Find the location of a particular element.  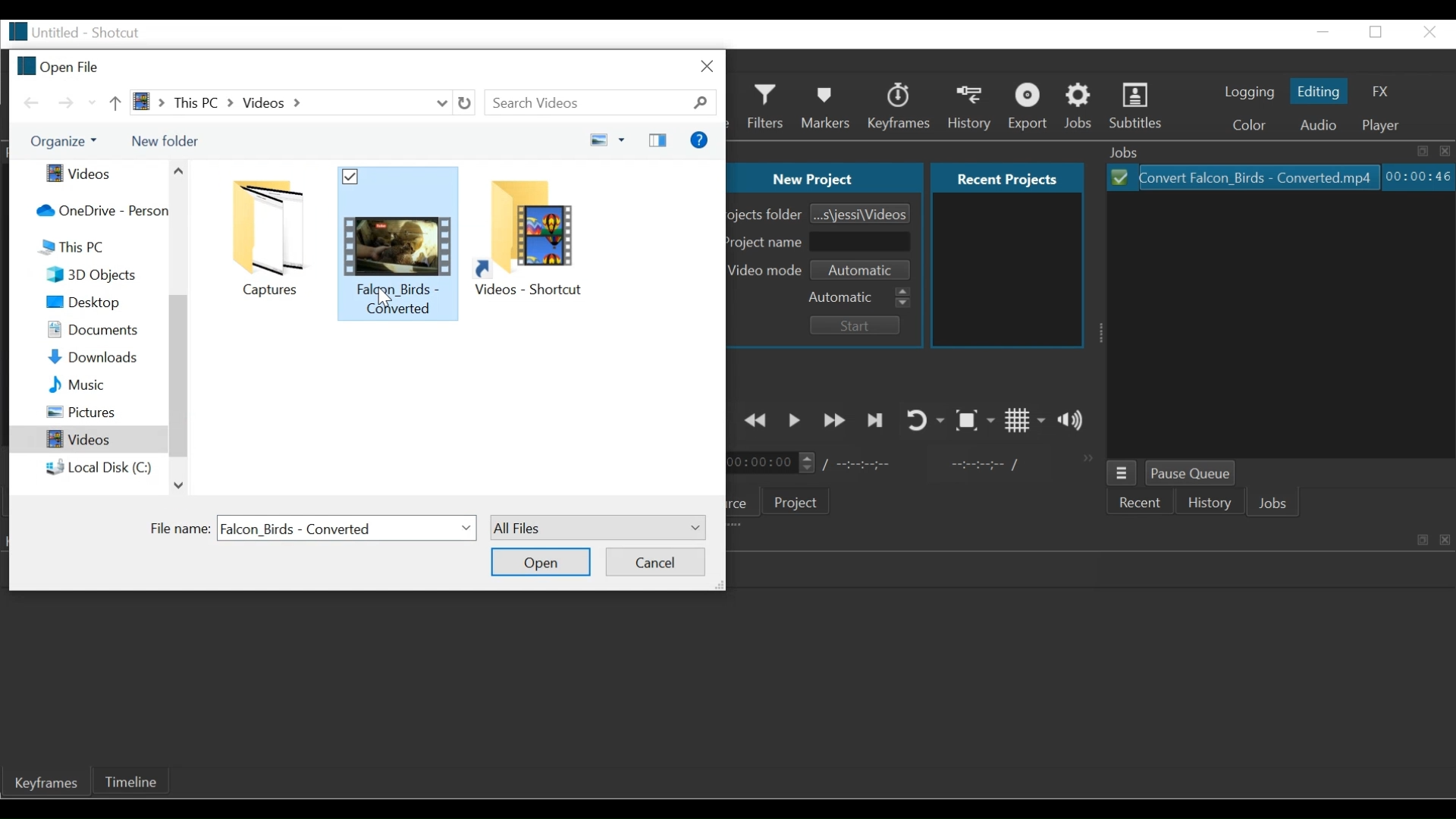

Recent is located at coordinates (1141, 500).